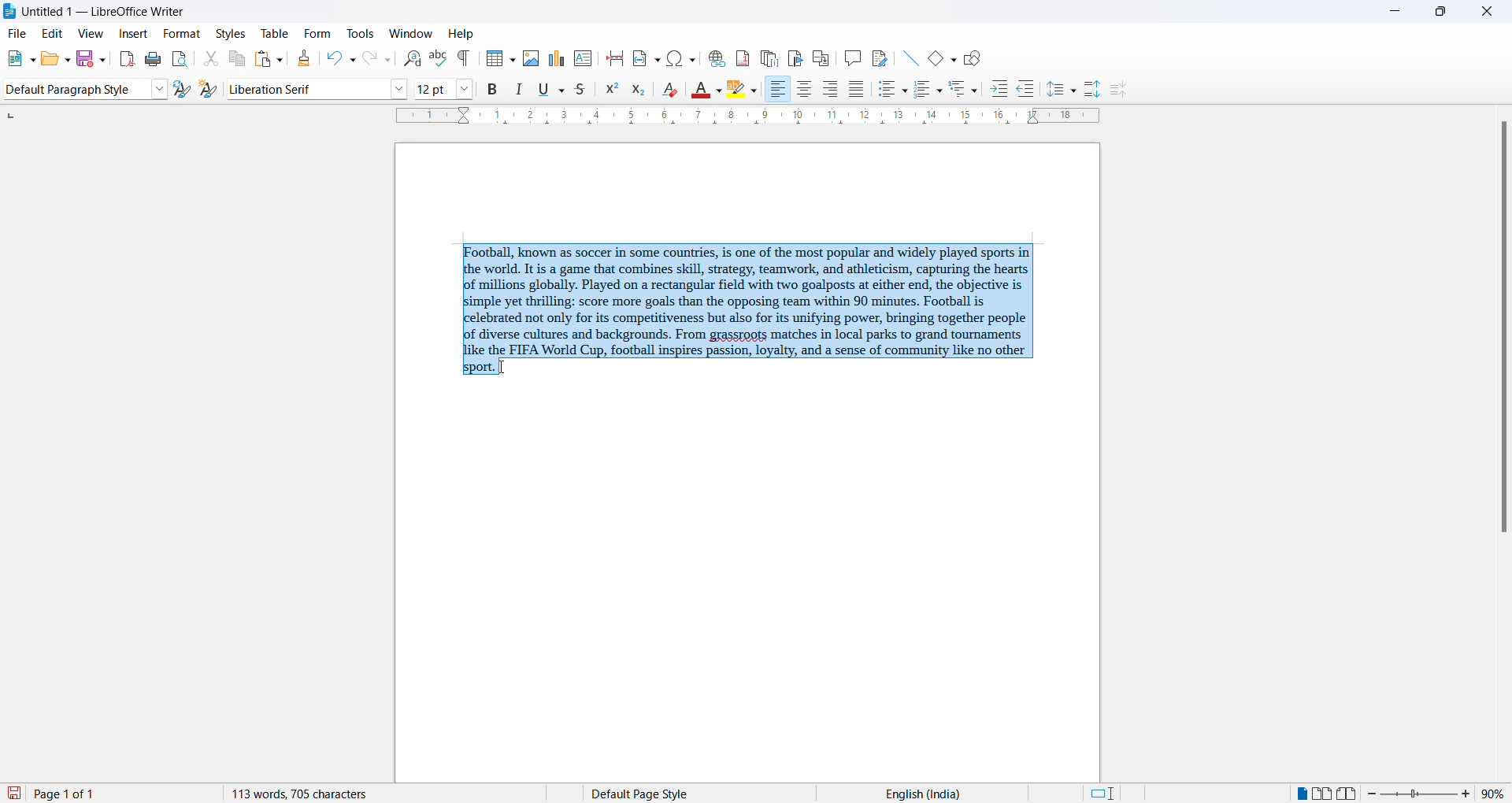 The height and width of the screenshot is (803, 1512). What do you see at coordinates (466, 90) in the screenshot?
I see `font size options` at bounding box center [466, 90].